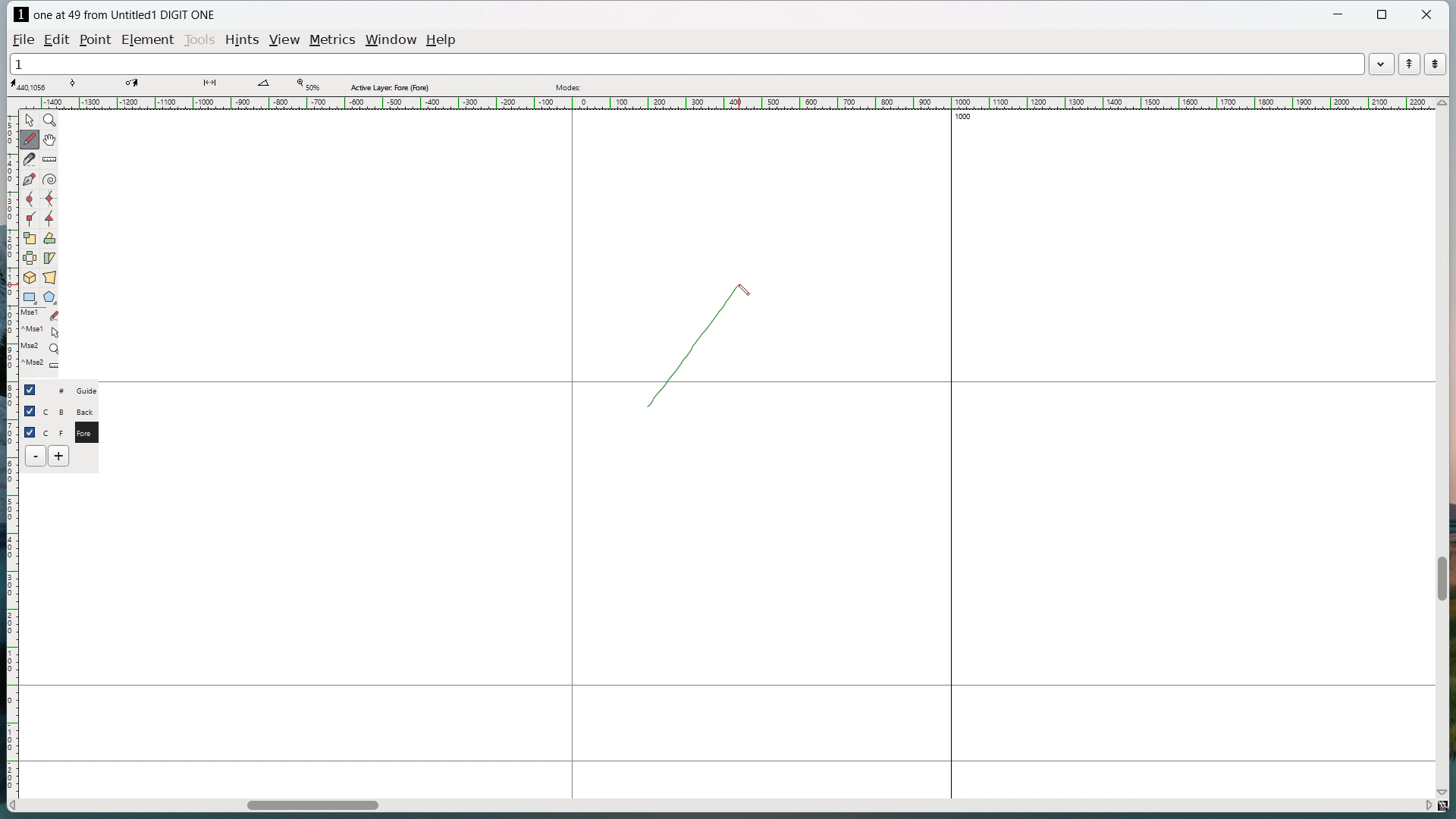 Image resolution: width=1456 pixels, height=819 pixels. Describe the element at coordinates (147, 39) in the screenshot. I see `element` at that location.